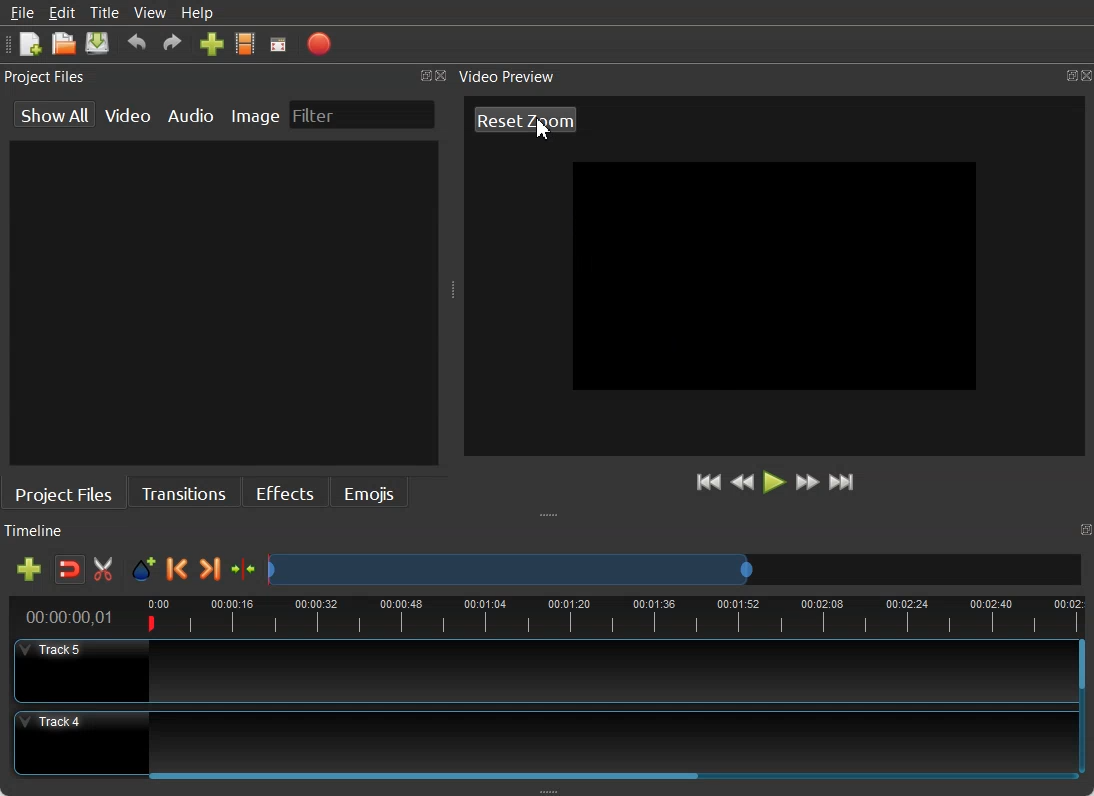 Image resolution: width=1094 pixels, height=796 pixels. What do you see at coordinates (182, 491) in the screenshot?
I see `Transitions` at bounding box center [182, 491].